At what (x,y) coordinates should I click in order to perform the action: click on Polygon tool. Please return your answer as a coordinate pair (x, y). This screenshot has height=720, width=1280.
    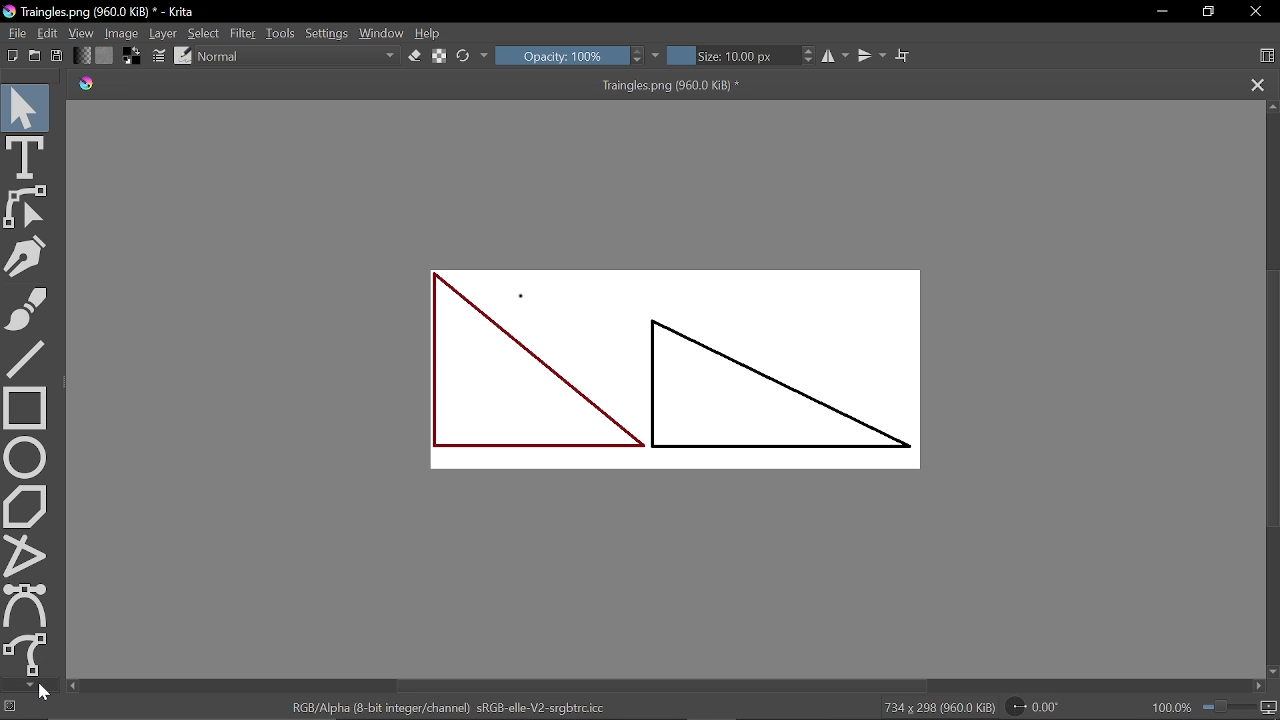
    Looking at the image, I should click on (25, 508).